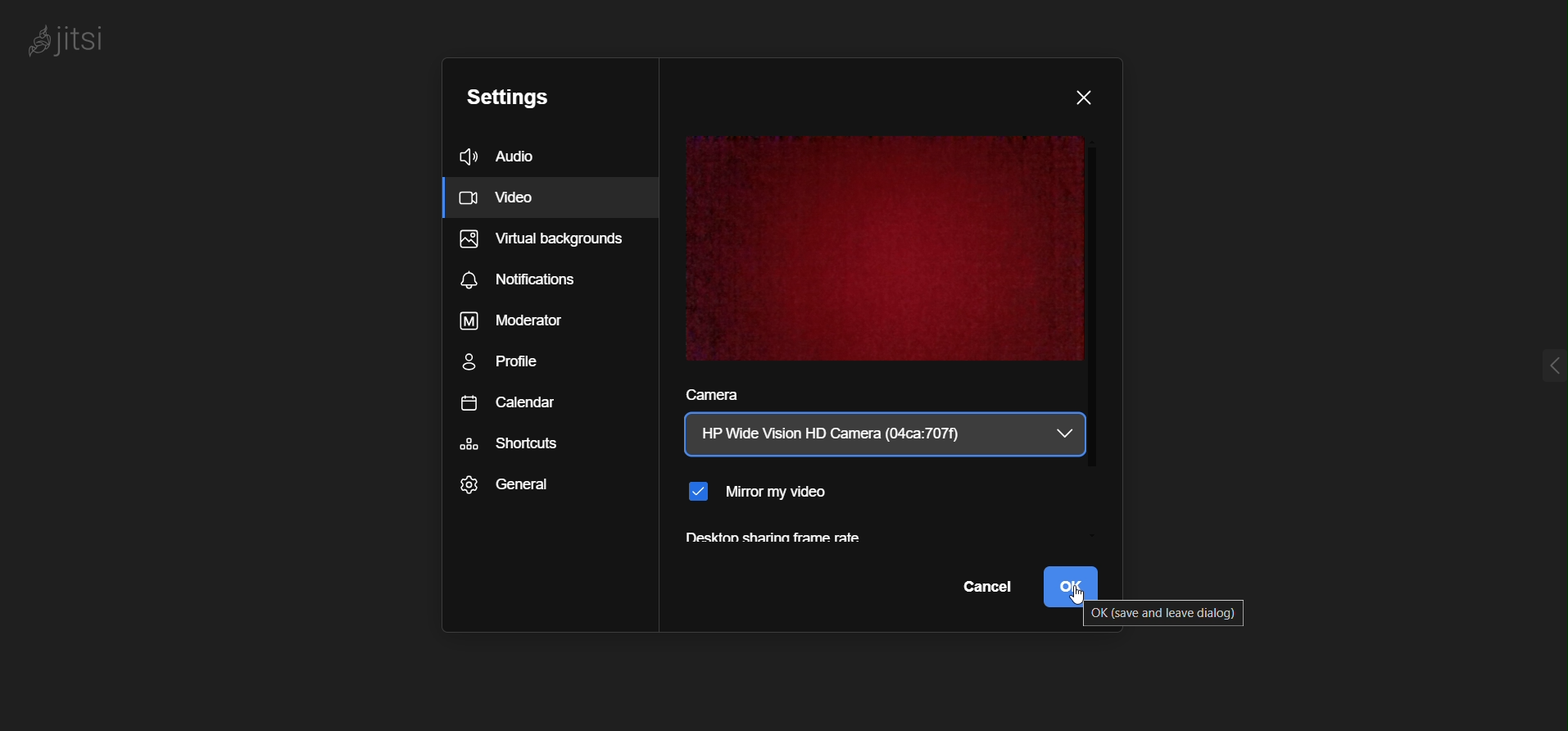 The image size is (1568, 731). What do you see at coordinates (510, 444) in the screenshot?
I see `shortcuts` at bounding box center [510, 444].